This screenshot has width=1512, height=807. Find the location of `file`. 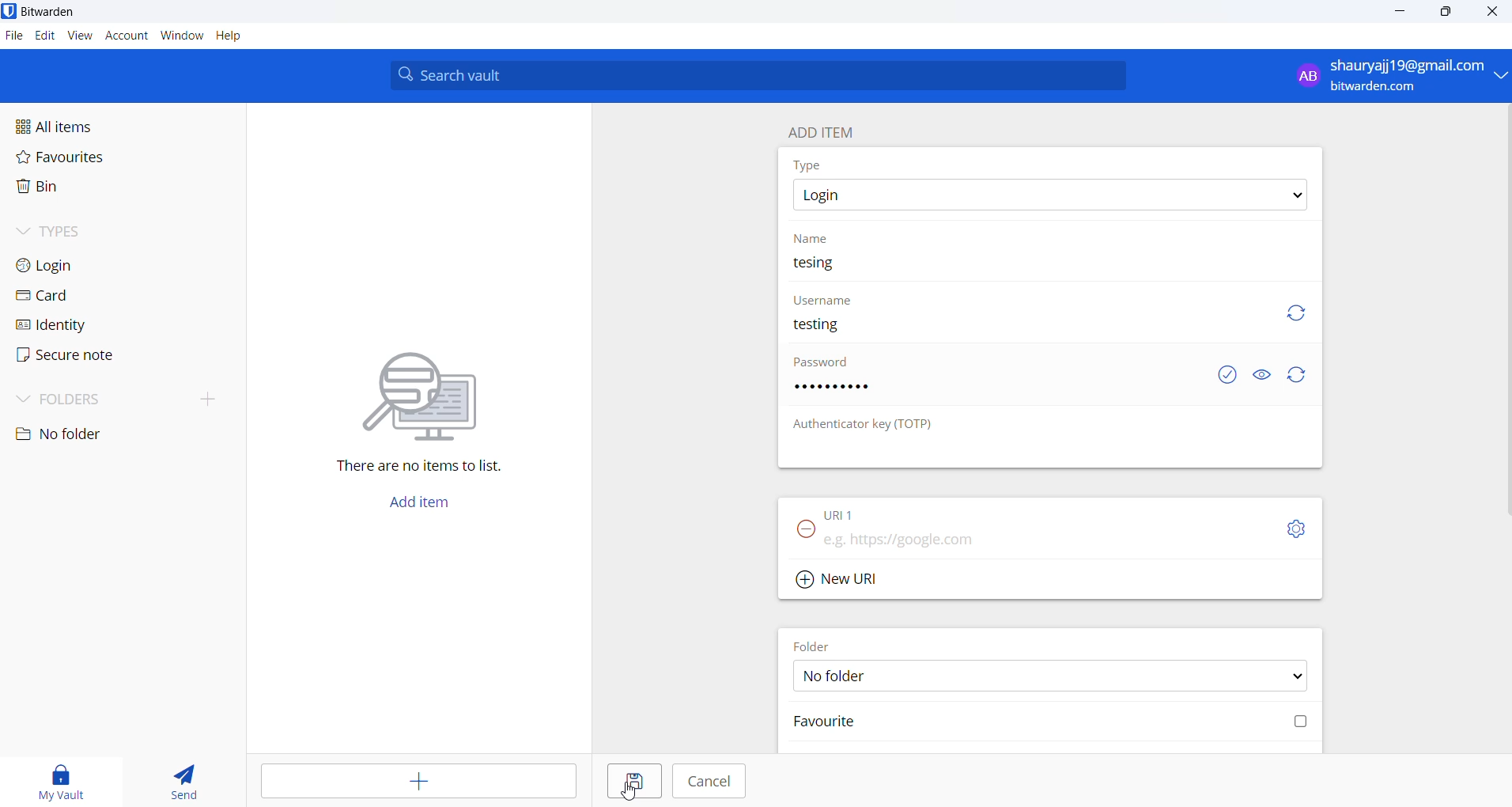

file is located at coordinates (13, 36).